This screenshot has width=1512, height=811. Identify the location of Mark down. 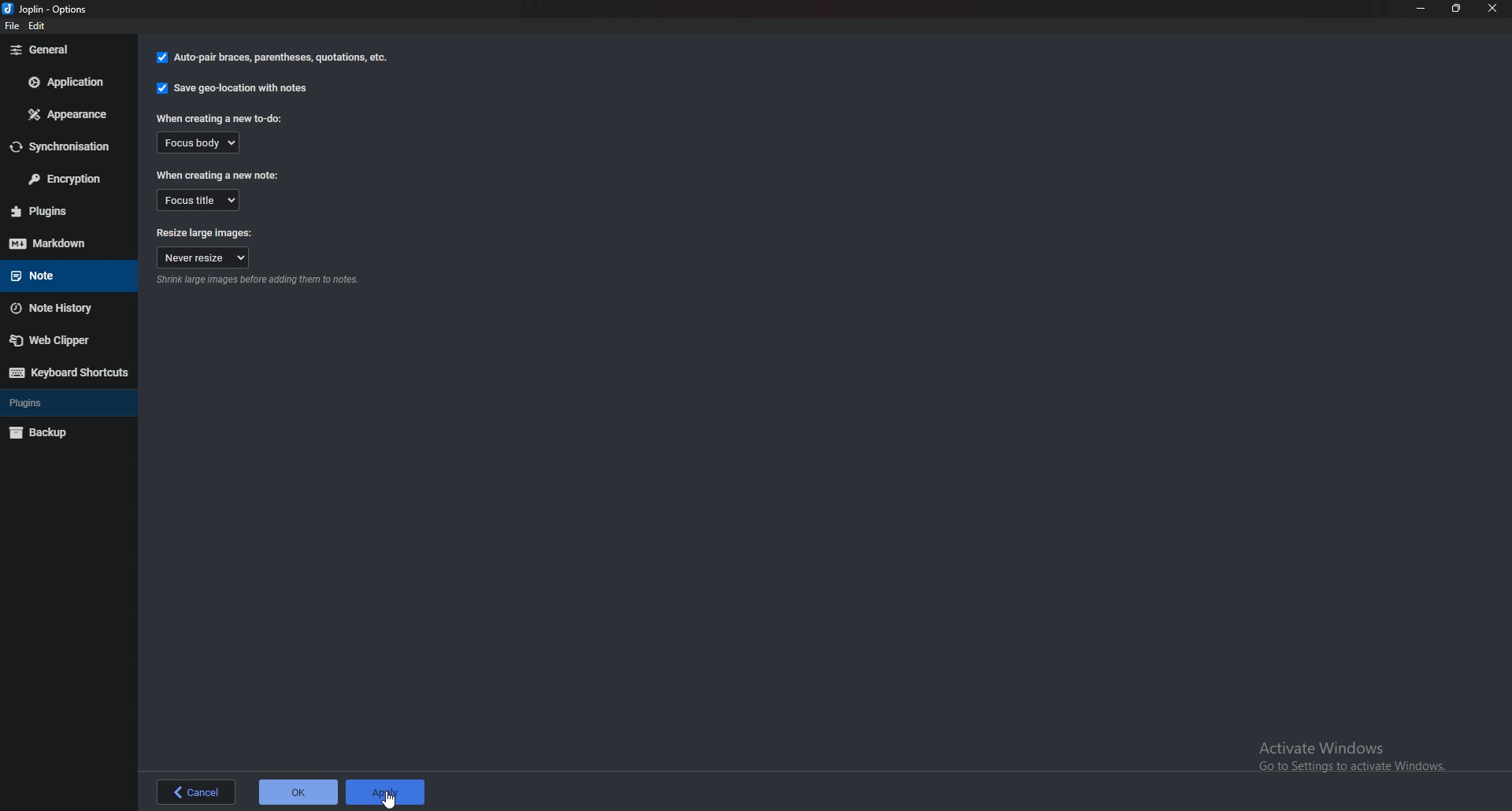
(67, 243).